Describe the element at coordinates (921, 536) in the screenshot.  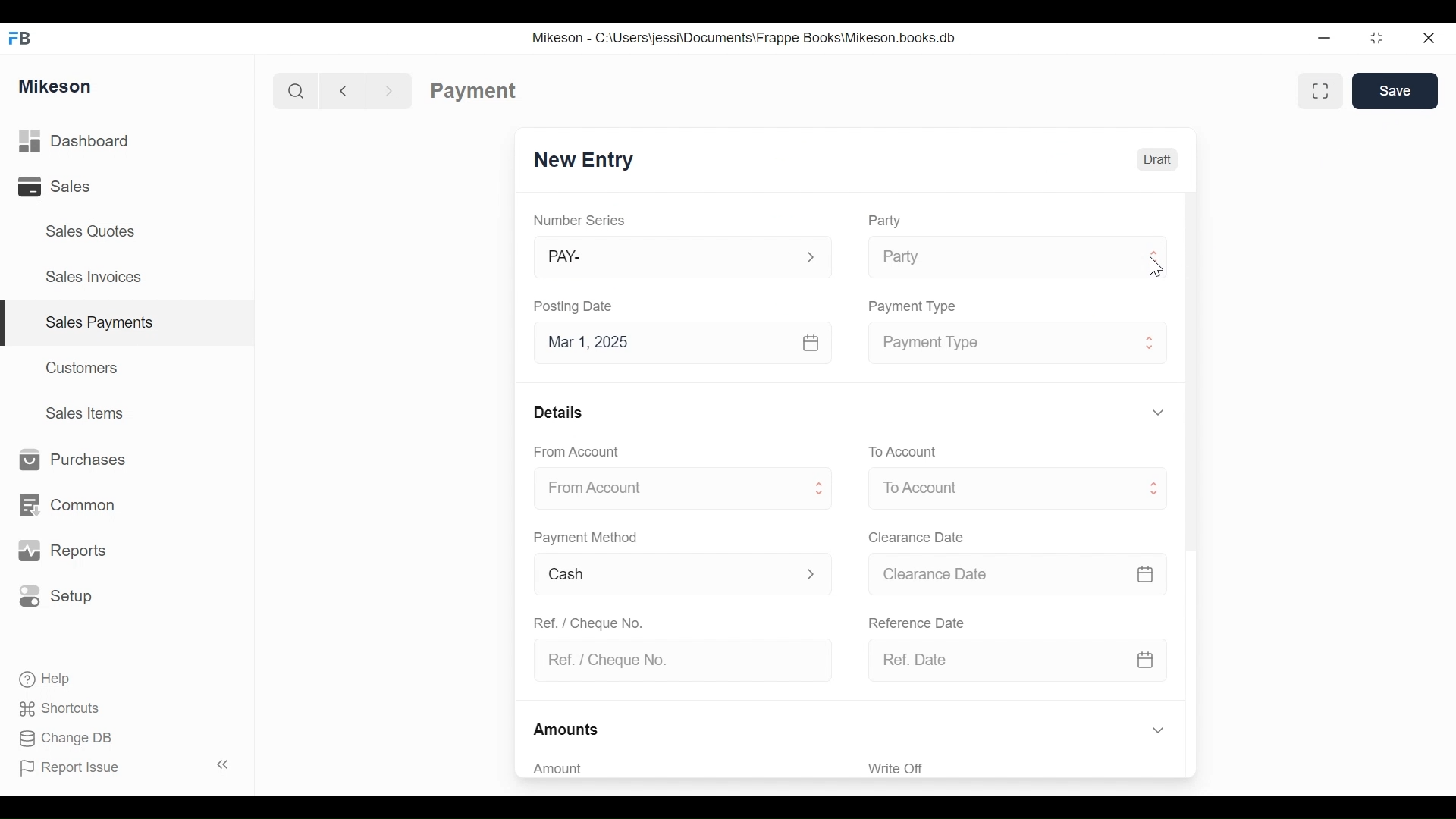
I see `Clearance date` at that location.